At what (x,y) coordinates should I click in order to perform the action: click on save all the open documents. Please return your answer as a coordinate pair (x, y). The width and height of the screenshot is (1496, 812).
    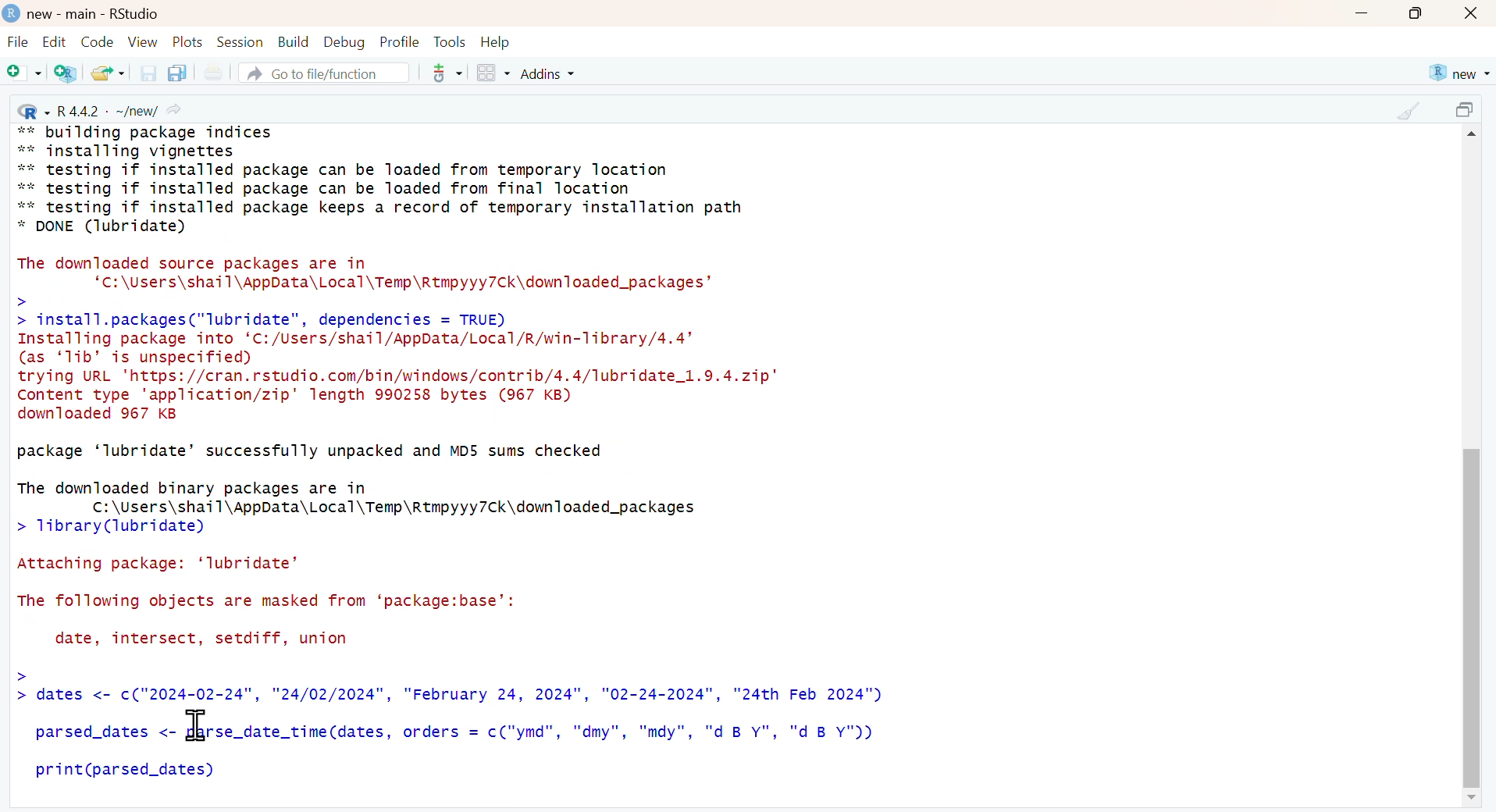
    Looking at the image, I should click on (176, 72).